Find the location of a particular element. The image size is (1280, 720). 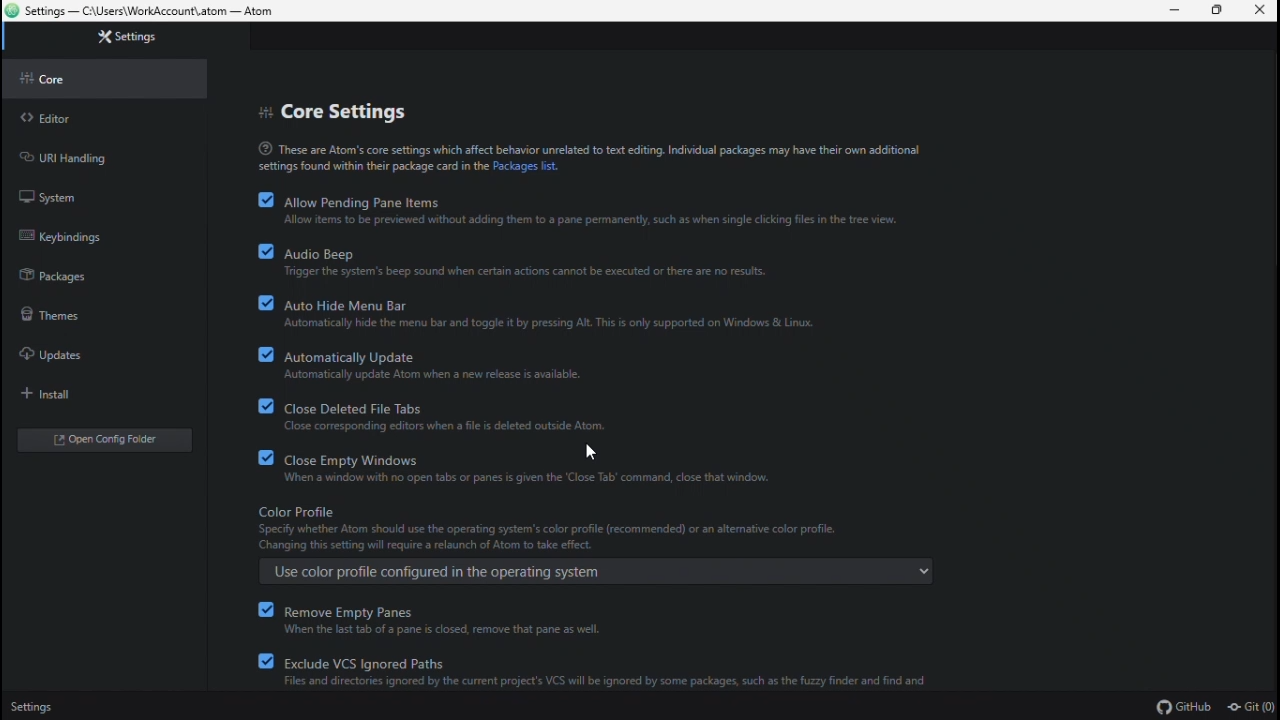

use color profile is located at coordinates (593, 574).